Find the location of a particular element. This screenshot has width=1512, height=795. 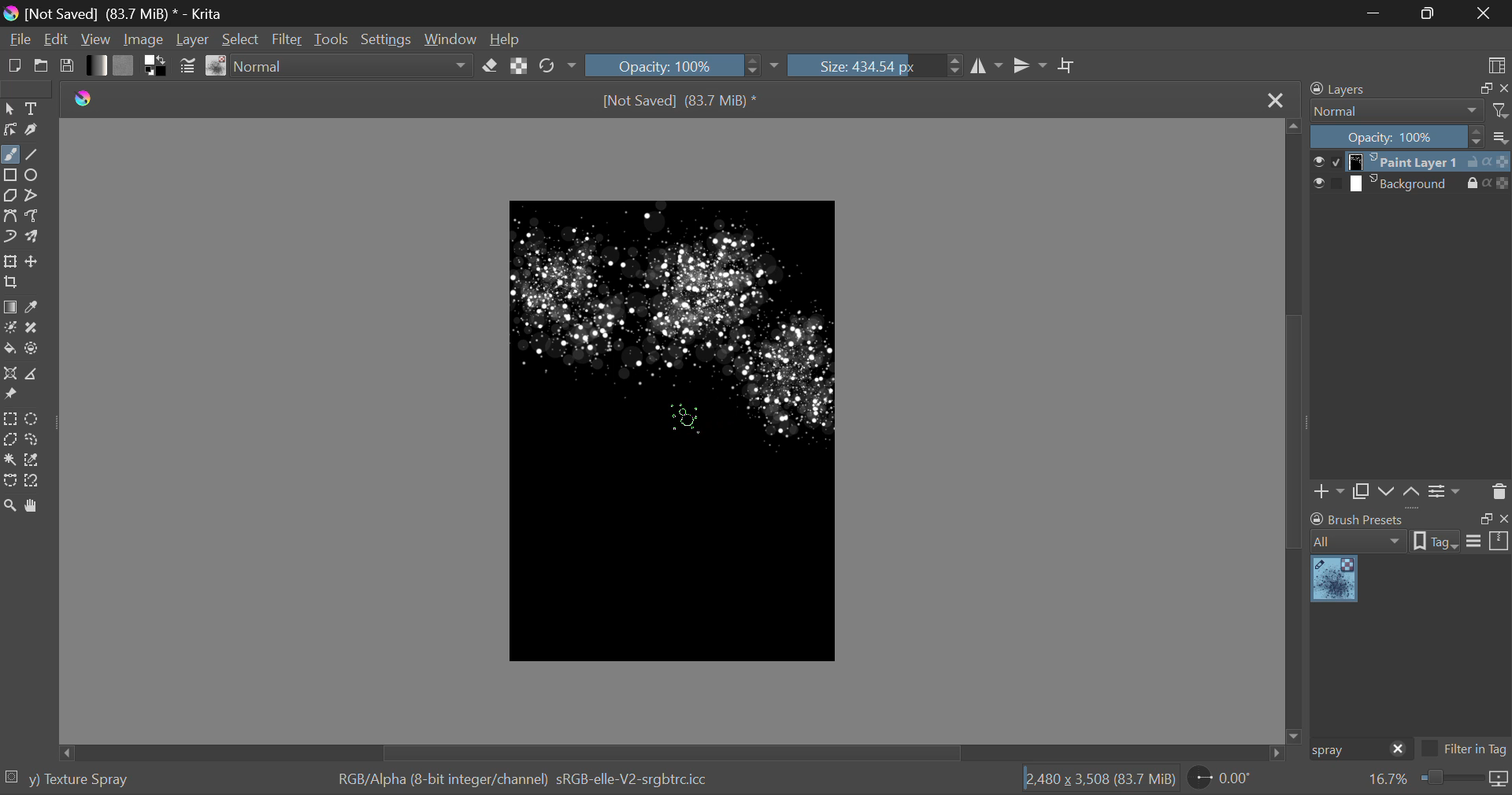

Eyedropper is located at coordinates (34, 309).